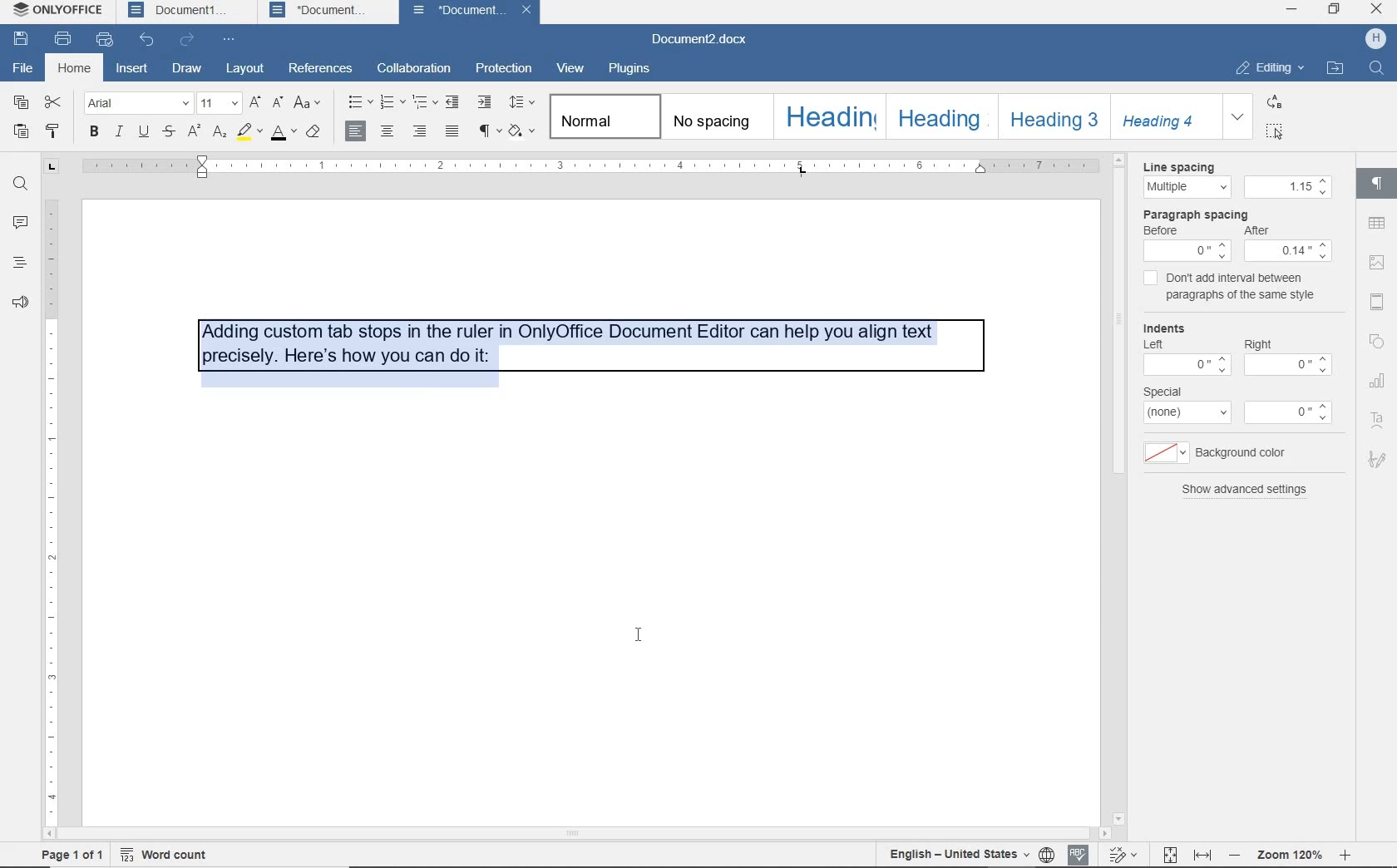 The width and height of the screenshot is (1397, 868). Describe the element at coordinates (21, 41) in the screenshot. I see `save` at that location.